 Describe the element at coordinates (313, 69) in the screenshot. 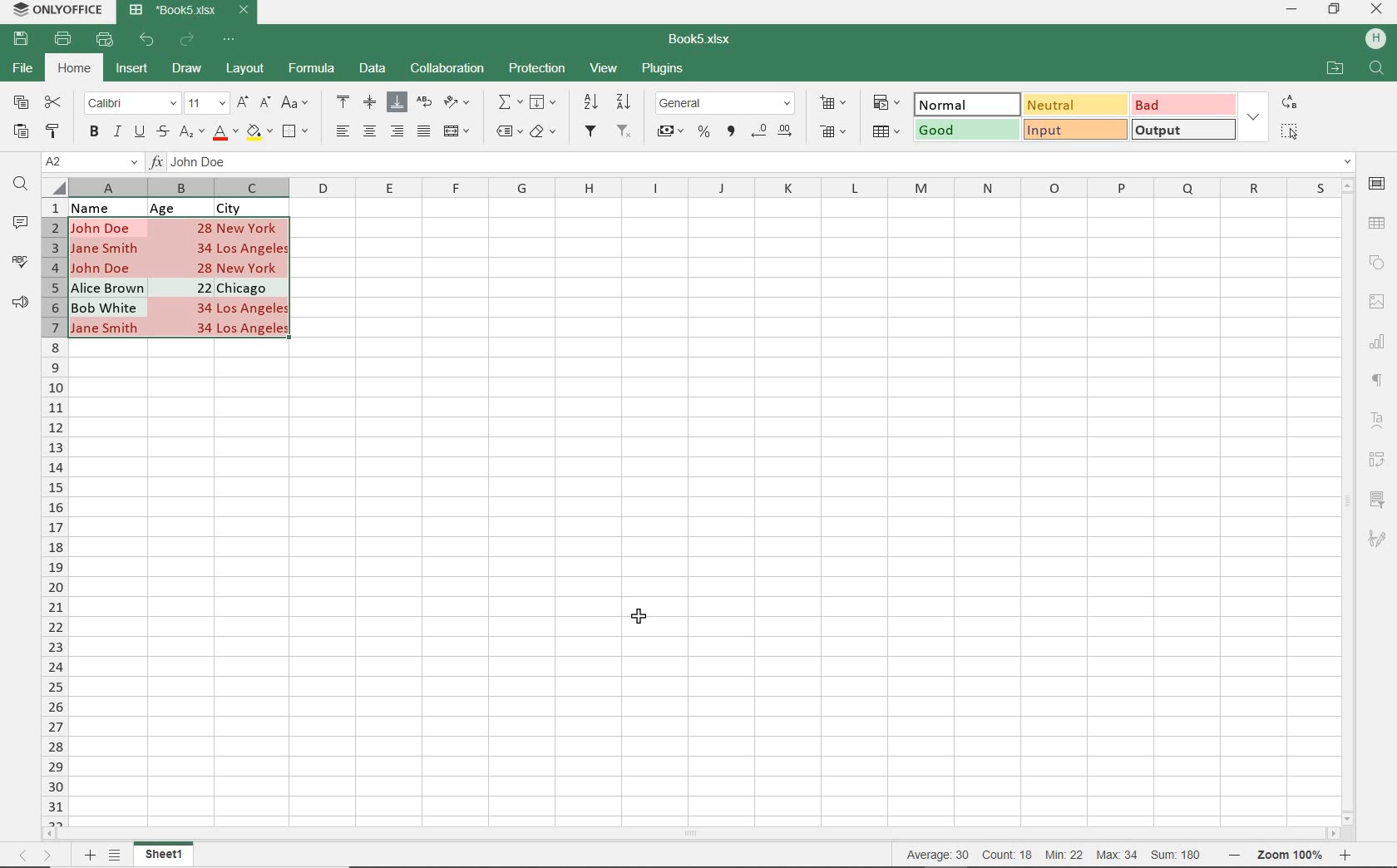

I see `FORMULA` at that location.